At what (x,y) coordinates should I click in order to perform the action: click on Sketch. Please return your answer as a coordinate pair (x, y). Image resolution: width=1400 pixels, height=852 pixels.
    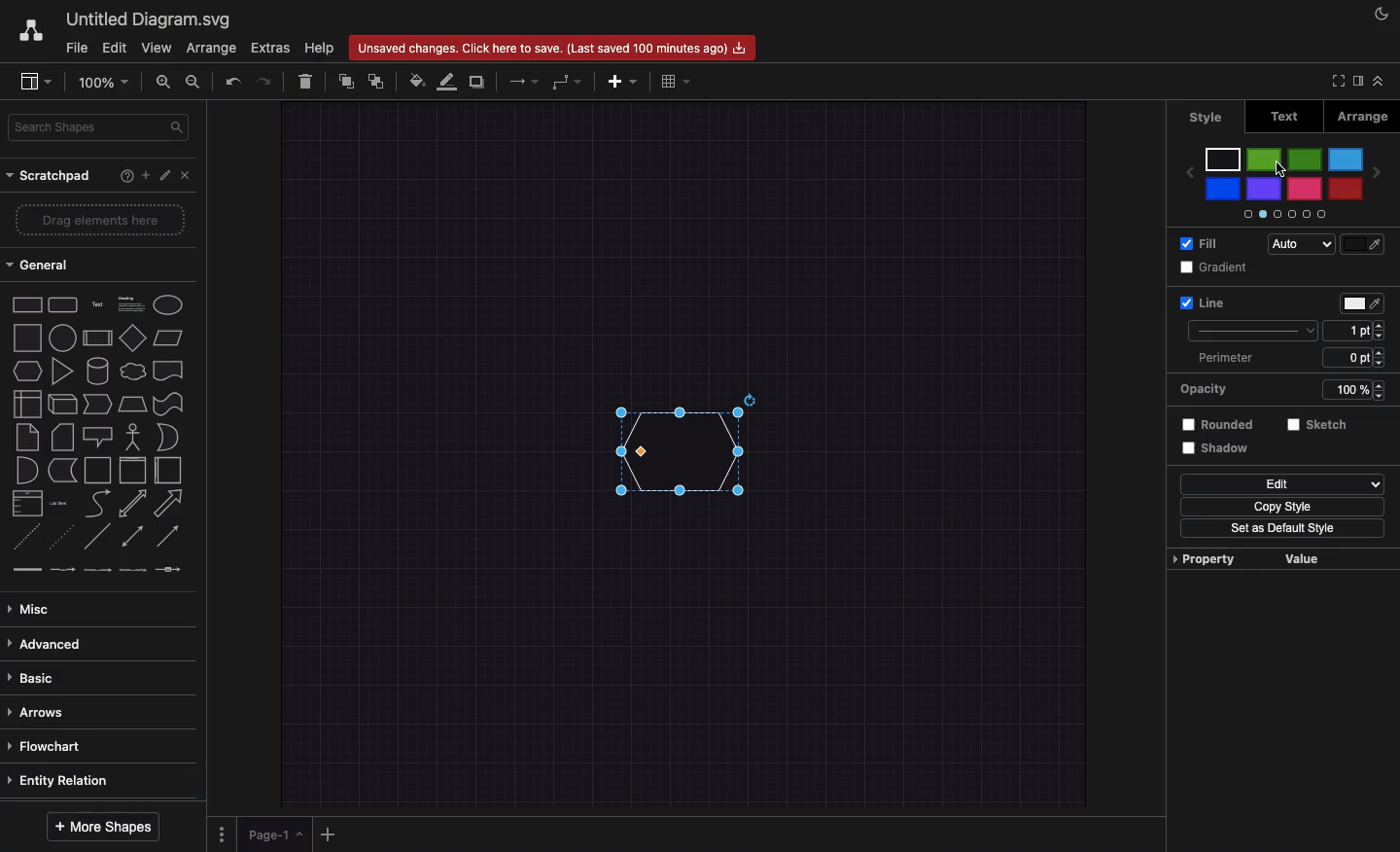
    Looking at the image, I should click on (1322, 425).